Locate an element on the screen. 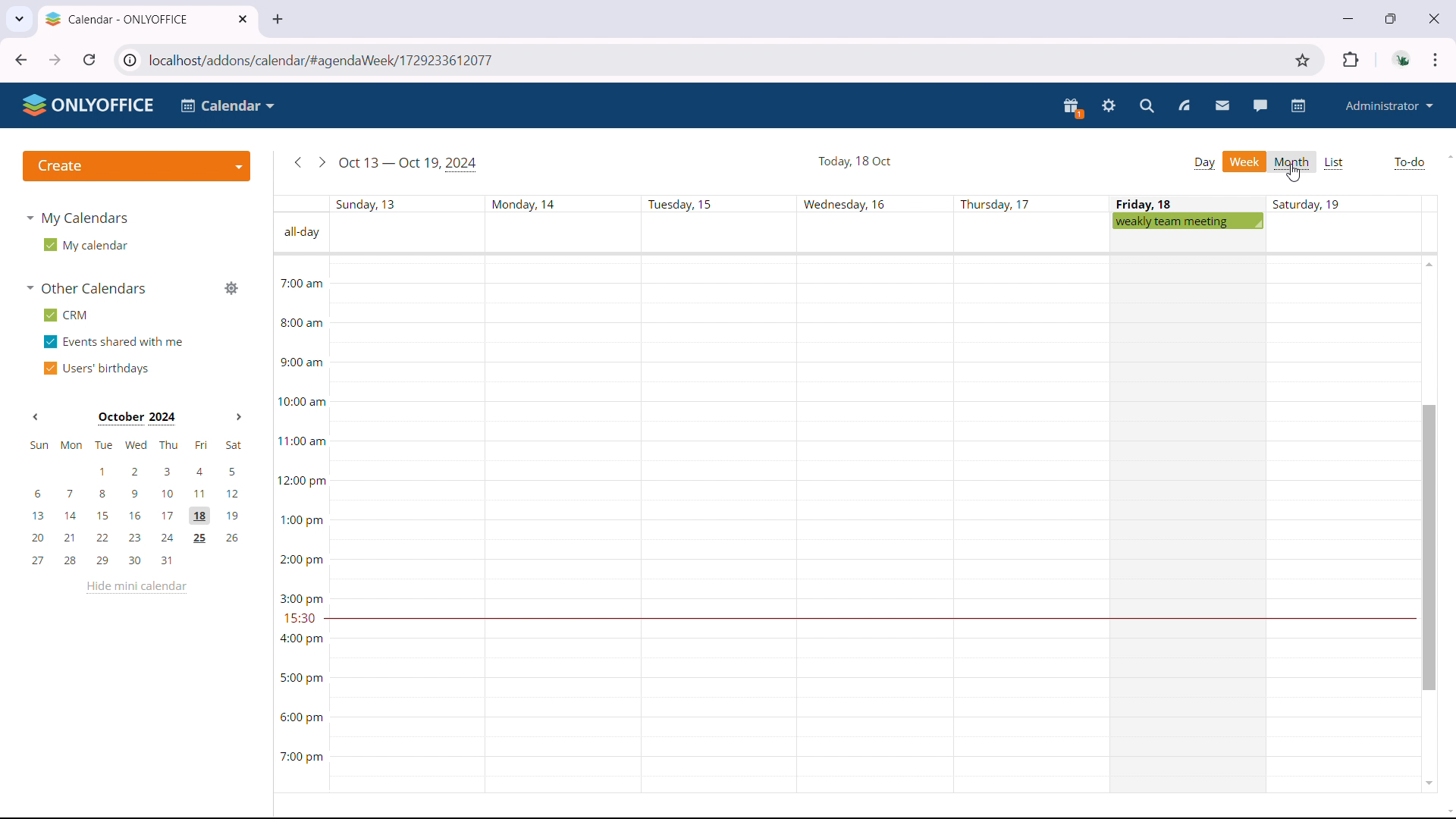  schedule of Tuesday is located at coordinates (716, 526).